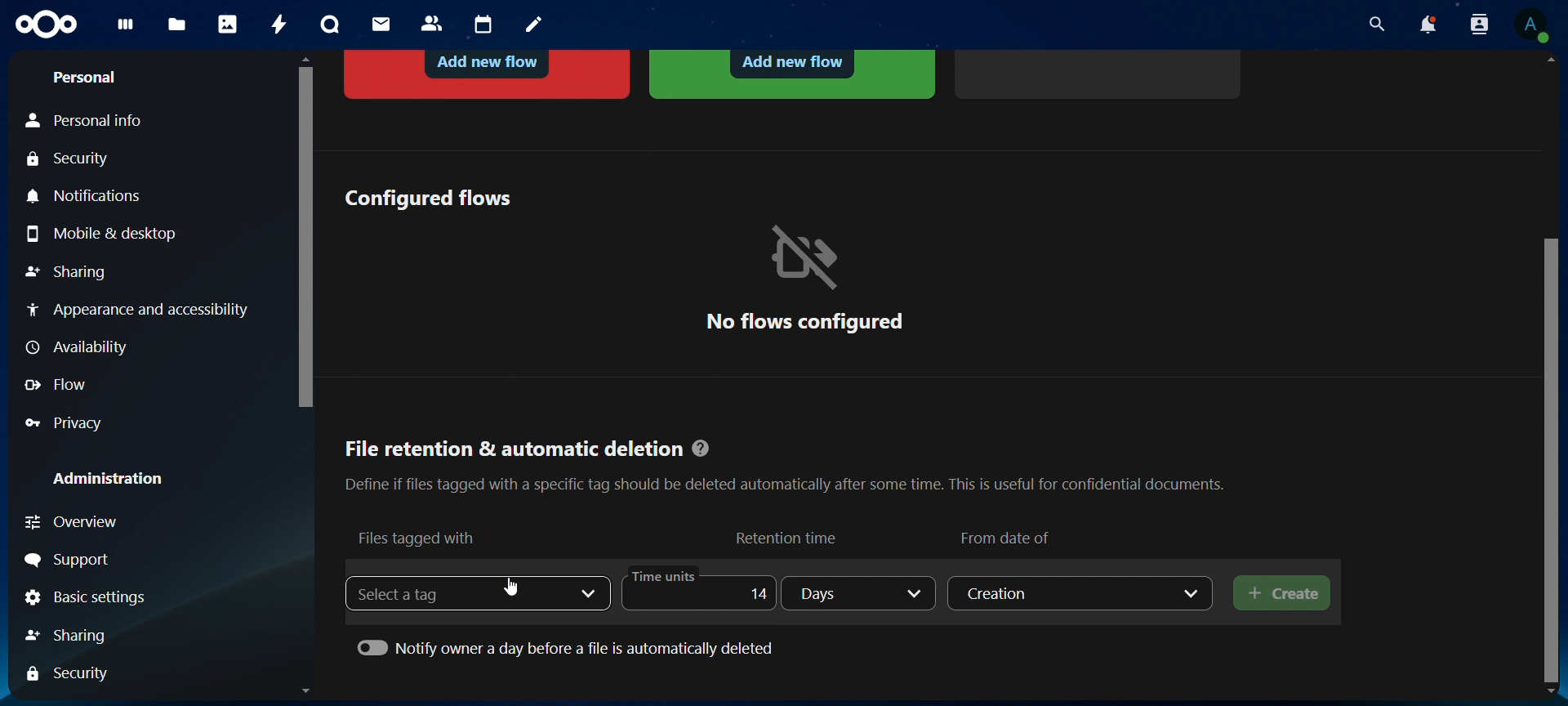 The image size is (1568, 706). What do you see at coordinates (281, 25) in the screenshot?
I see `activity` at bounding box center [281, 25].